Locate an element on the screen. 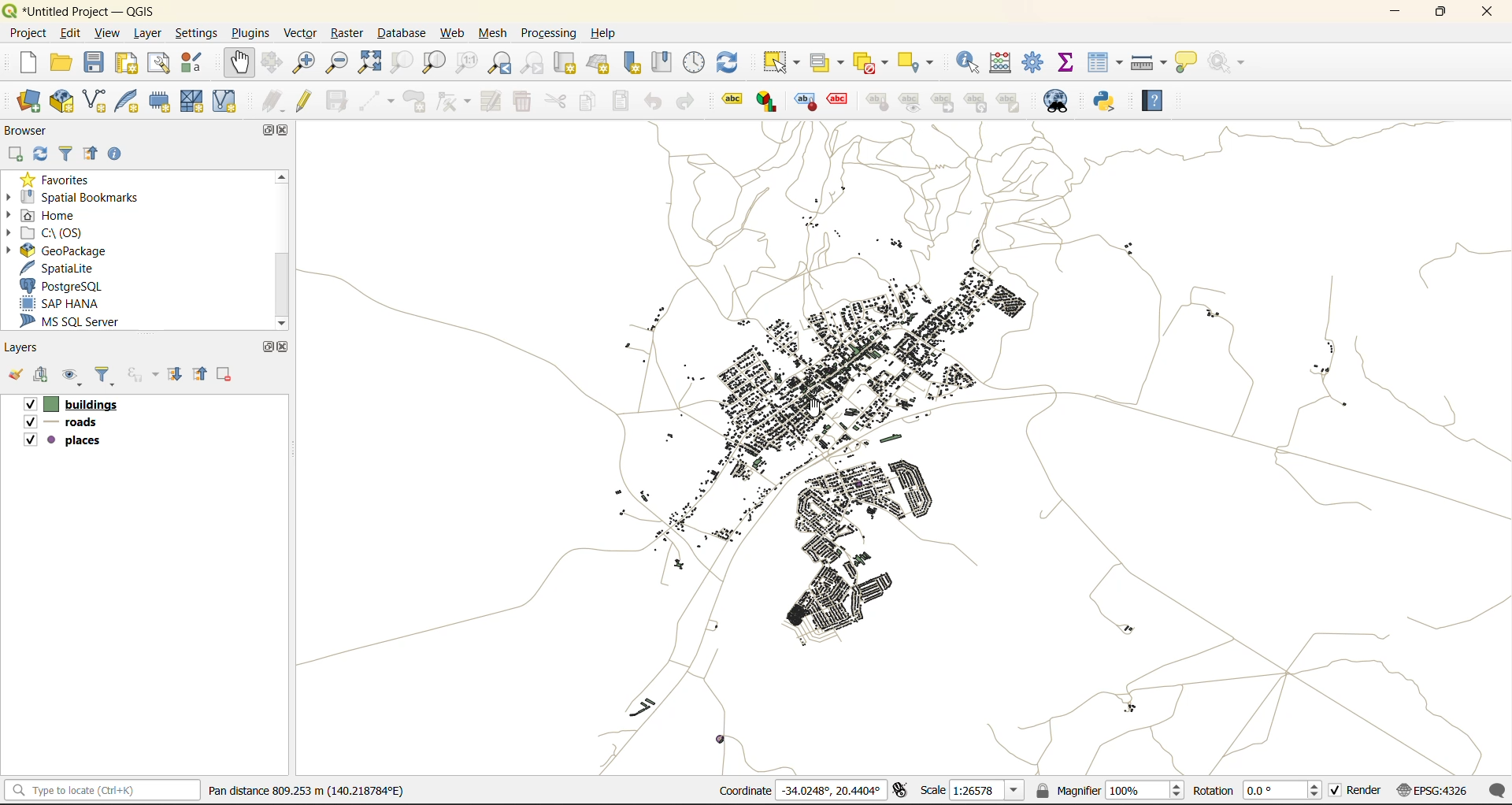  open data source manager is located at coordinates (29, 101).